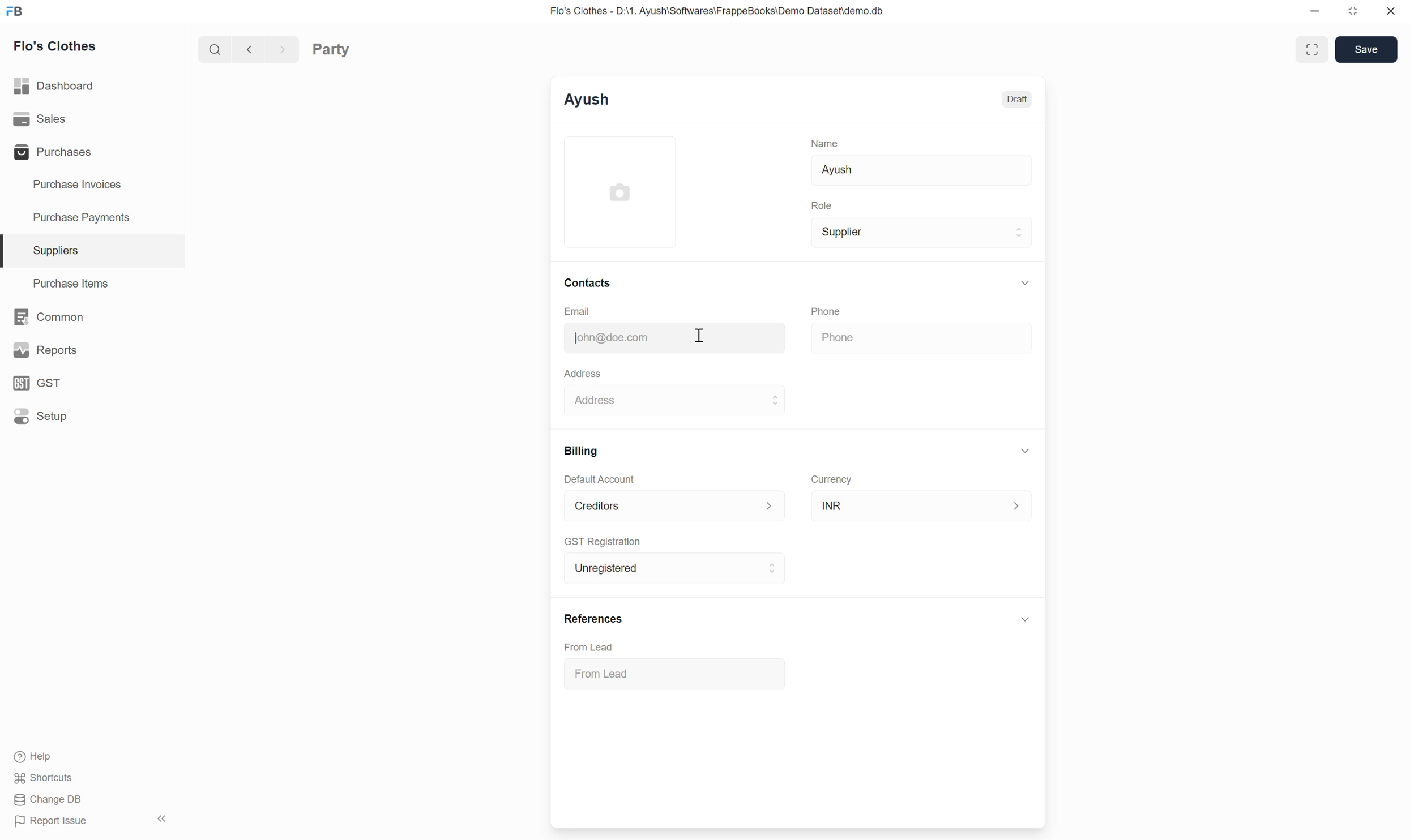 This screenshot has width=1410, height=840. I want to click on Shortcuts, so click(44, 778).